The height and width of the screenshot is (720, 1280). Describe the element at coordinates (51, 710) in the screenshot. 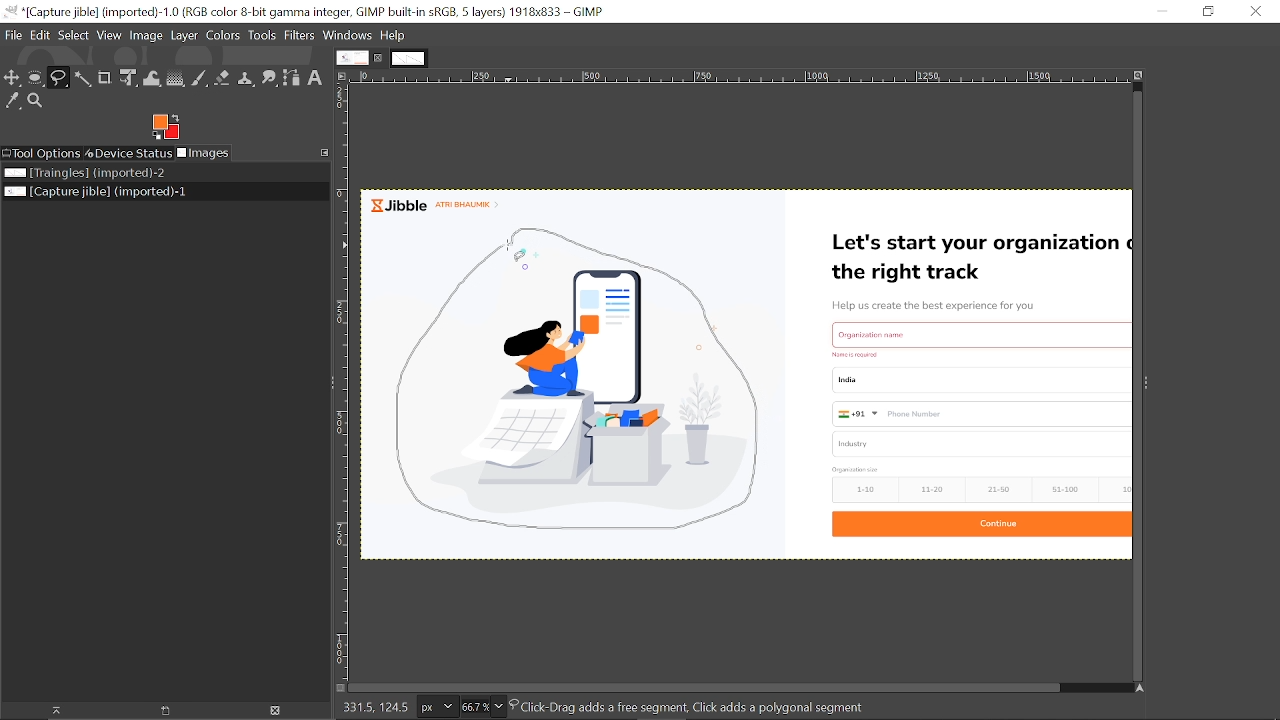

I see `raise the image display` at that location.